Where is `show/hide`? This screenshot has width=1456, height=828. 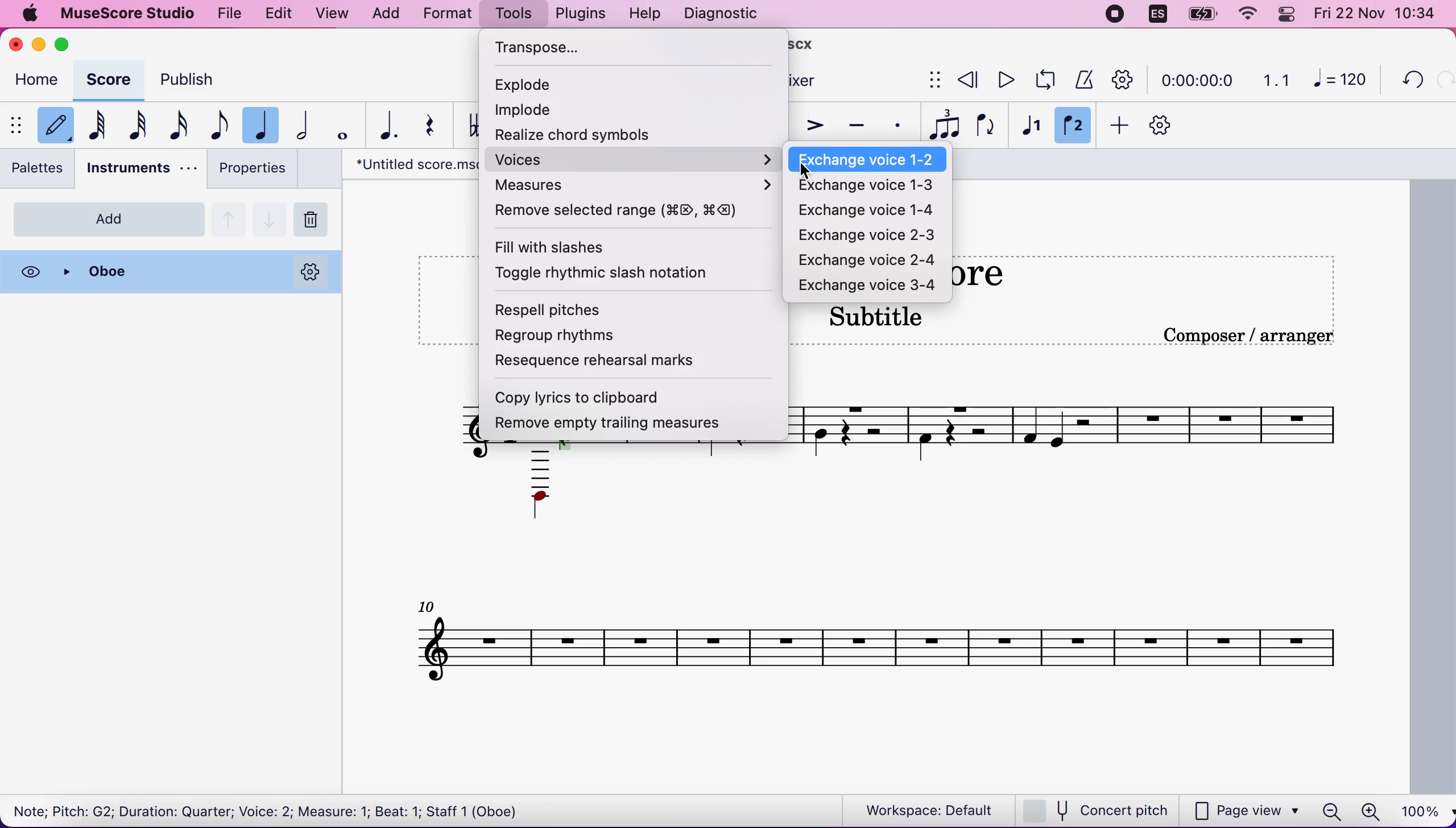
show/hide is located at coordinates (18, 127).